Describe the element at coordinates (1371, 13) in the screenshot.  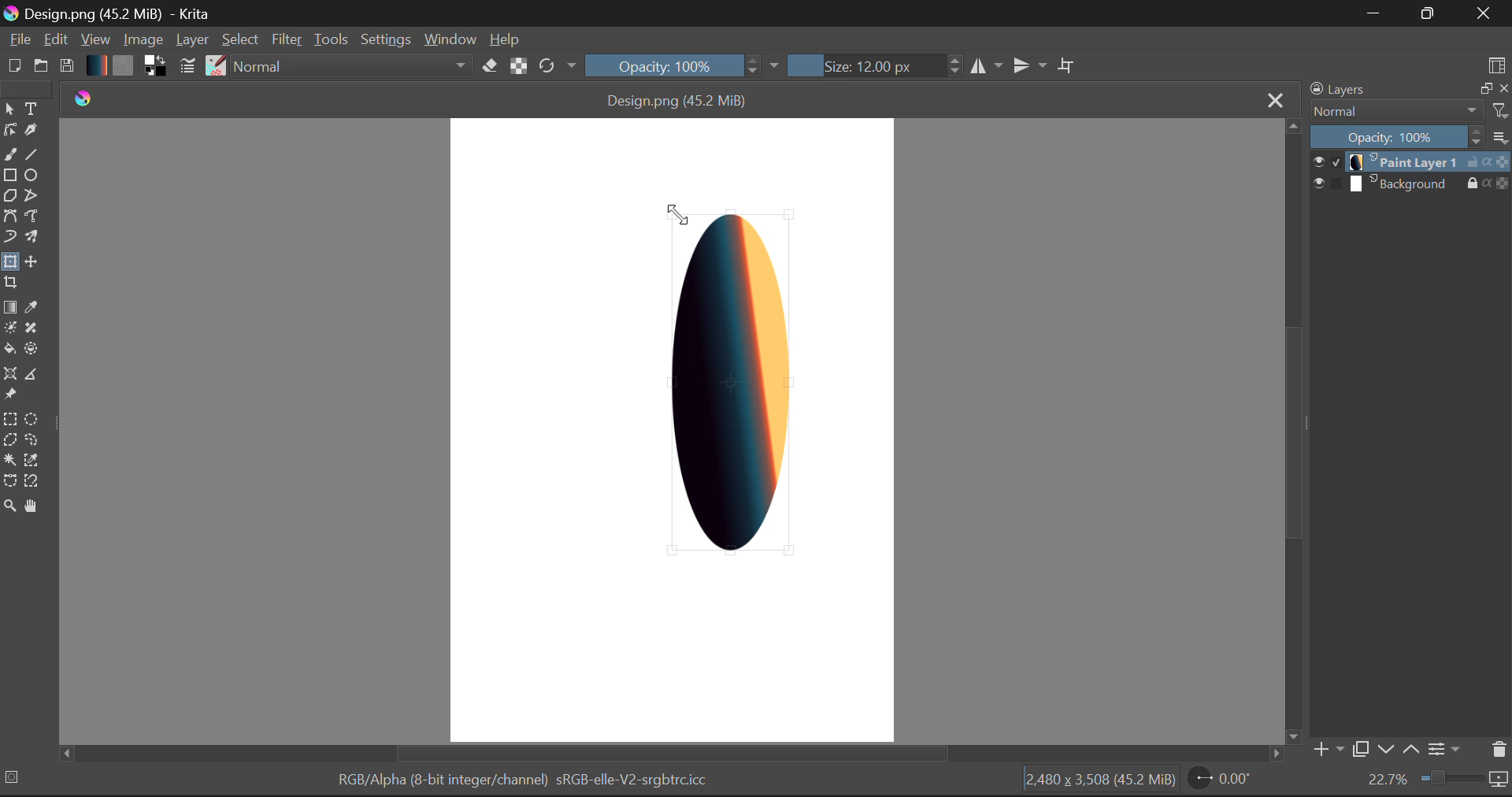
I see `Restore Down` at that location.